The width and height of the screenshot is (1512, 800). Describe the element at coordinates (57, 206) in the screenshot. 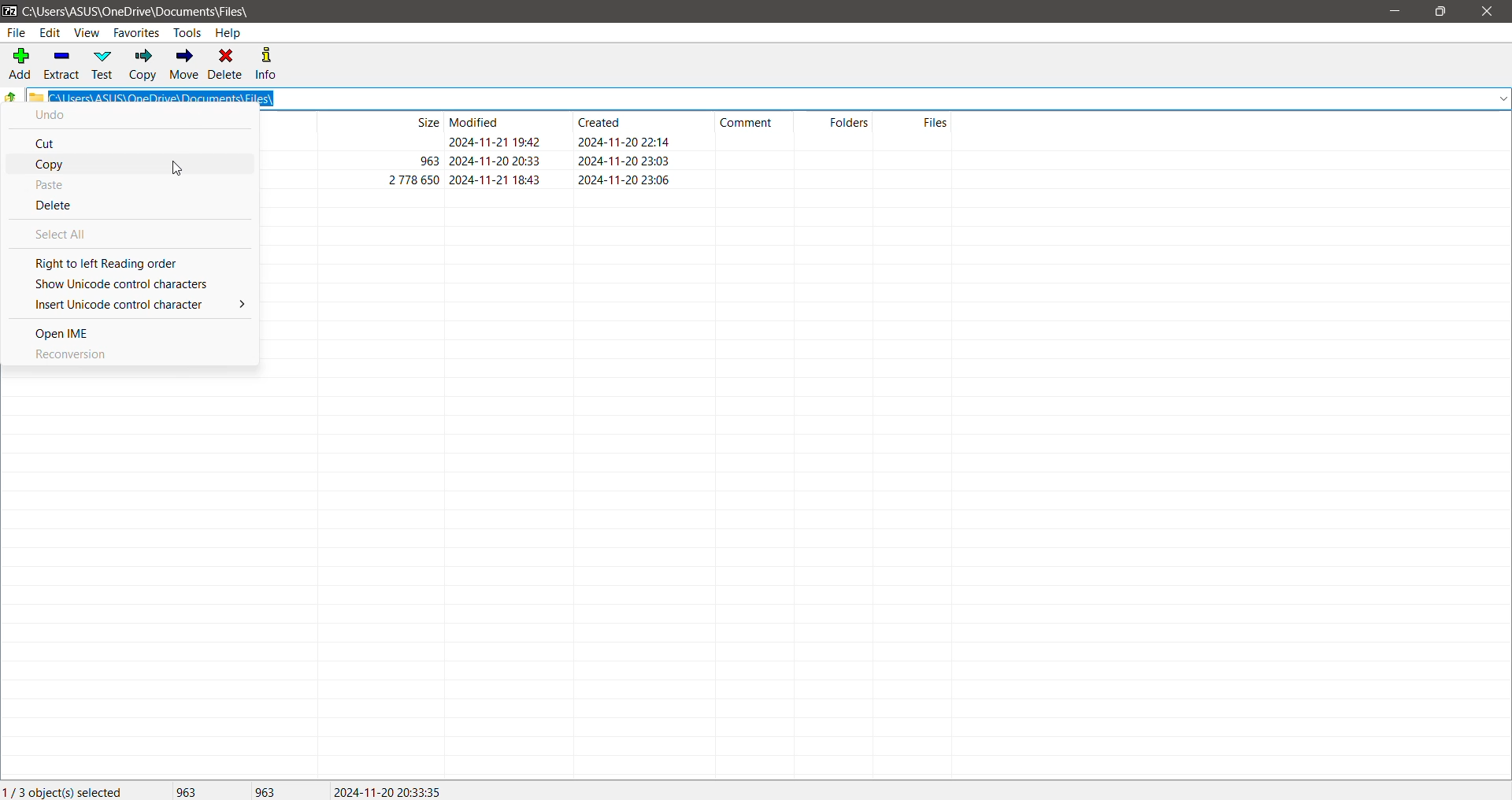

I see `Delete` at that location.